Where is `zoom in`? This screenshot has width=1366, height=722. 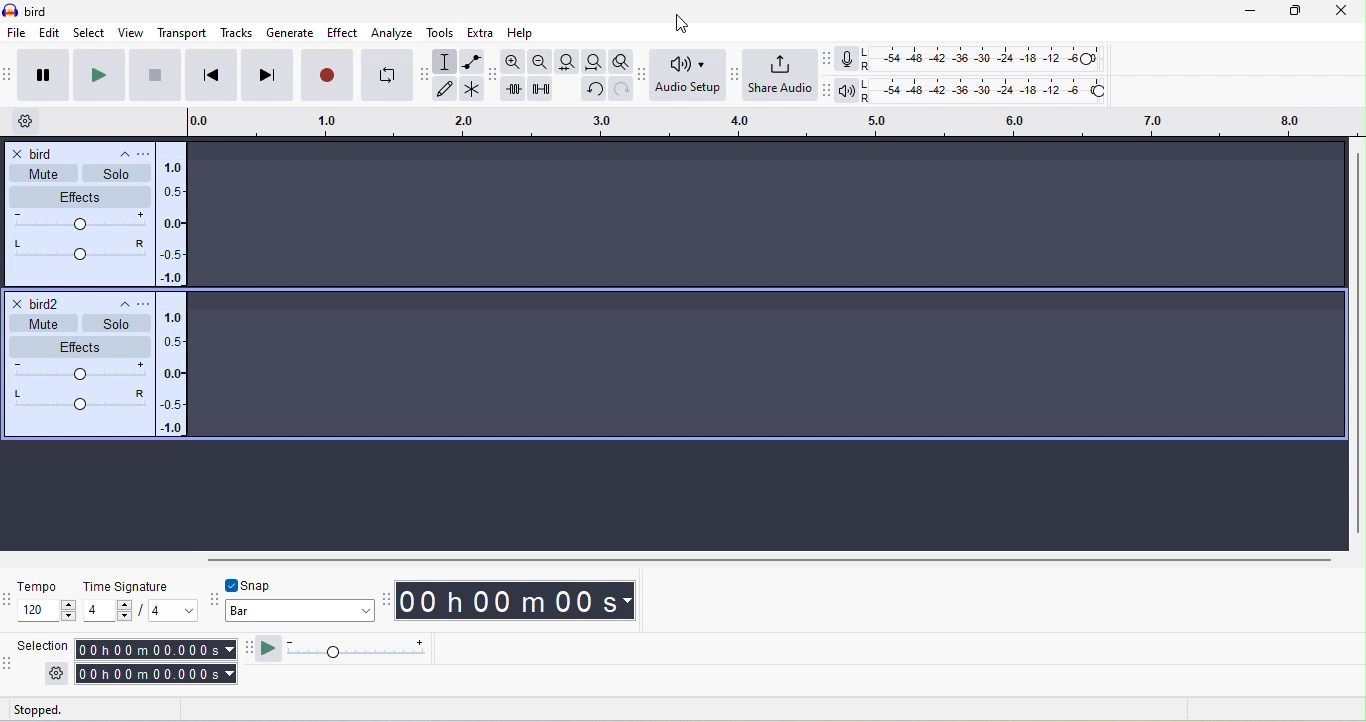
zoom in is located at coordinates (514, 61).